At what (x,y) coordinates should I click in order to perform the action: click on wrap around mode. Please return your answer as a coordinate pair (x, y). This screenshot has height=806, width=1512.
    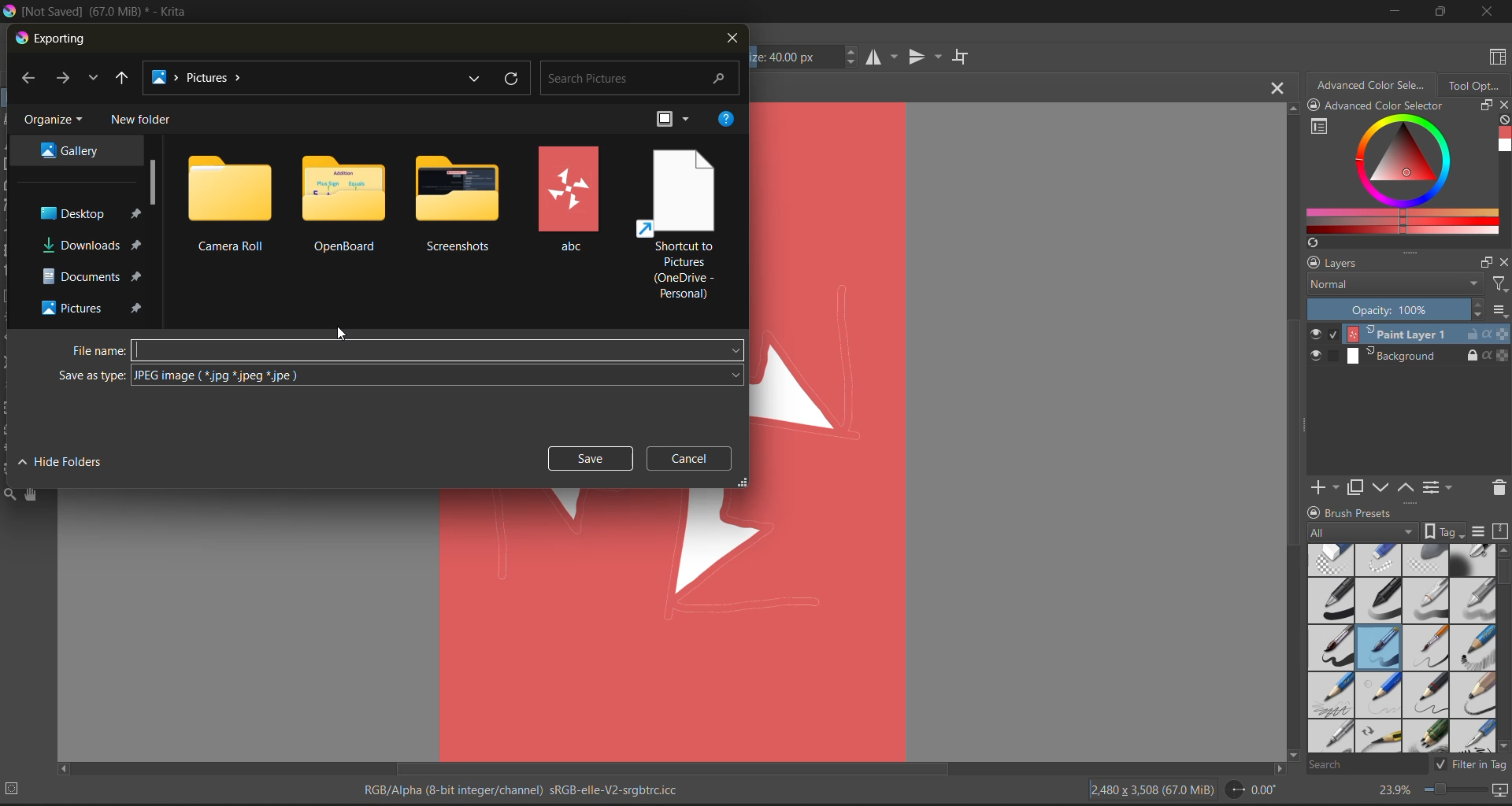
    Looking at the image, I should click on (962, 57).